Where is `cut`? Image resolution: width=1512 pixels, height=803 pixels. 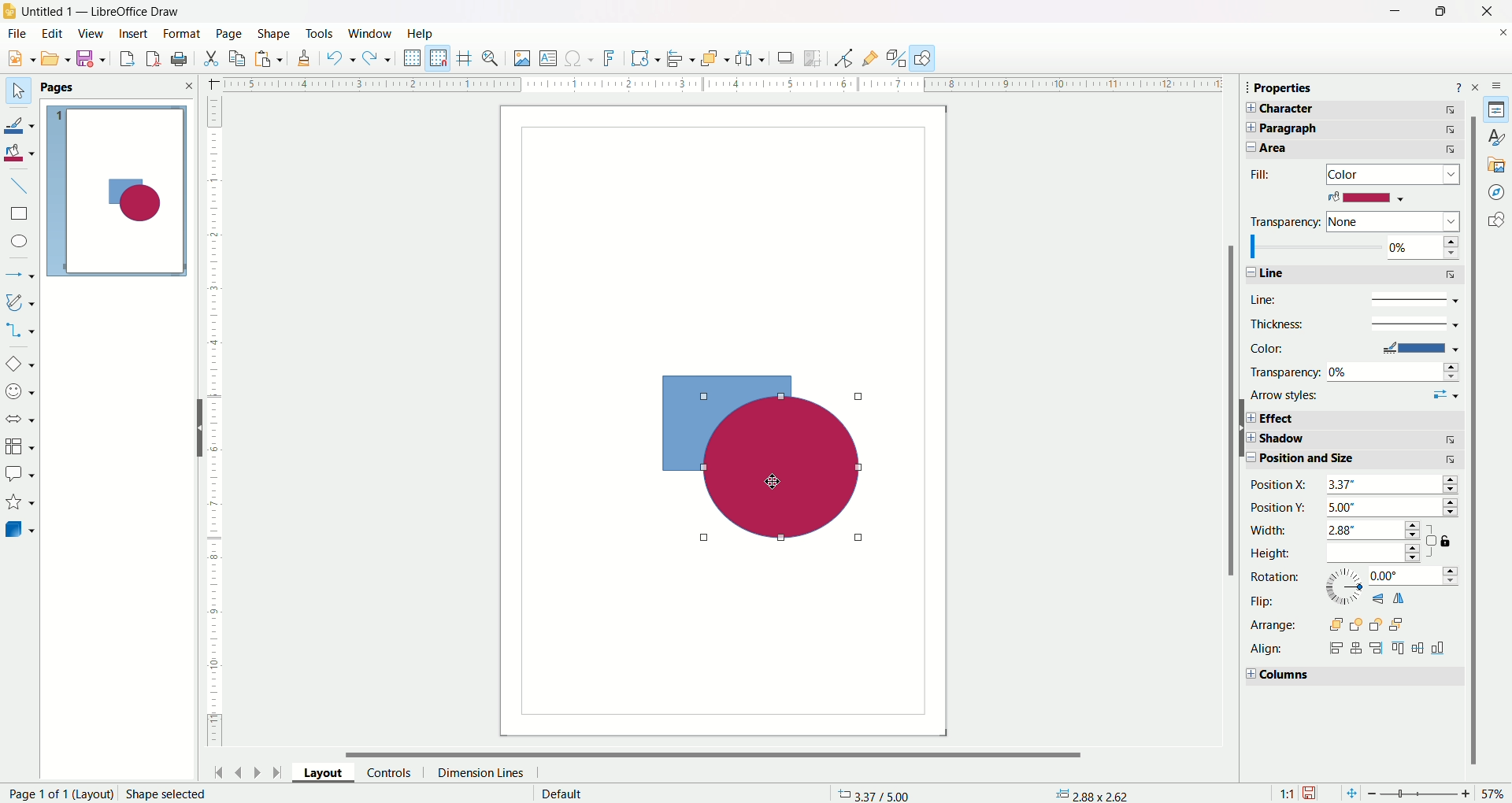 cut is located at coordinates (211, 57).